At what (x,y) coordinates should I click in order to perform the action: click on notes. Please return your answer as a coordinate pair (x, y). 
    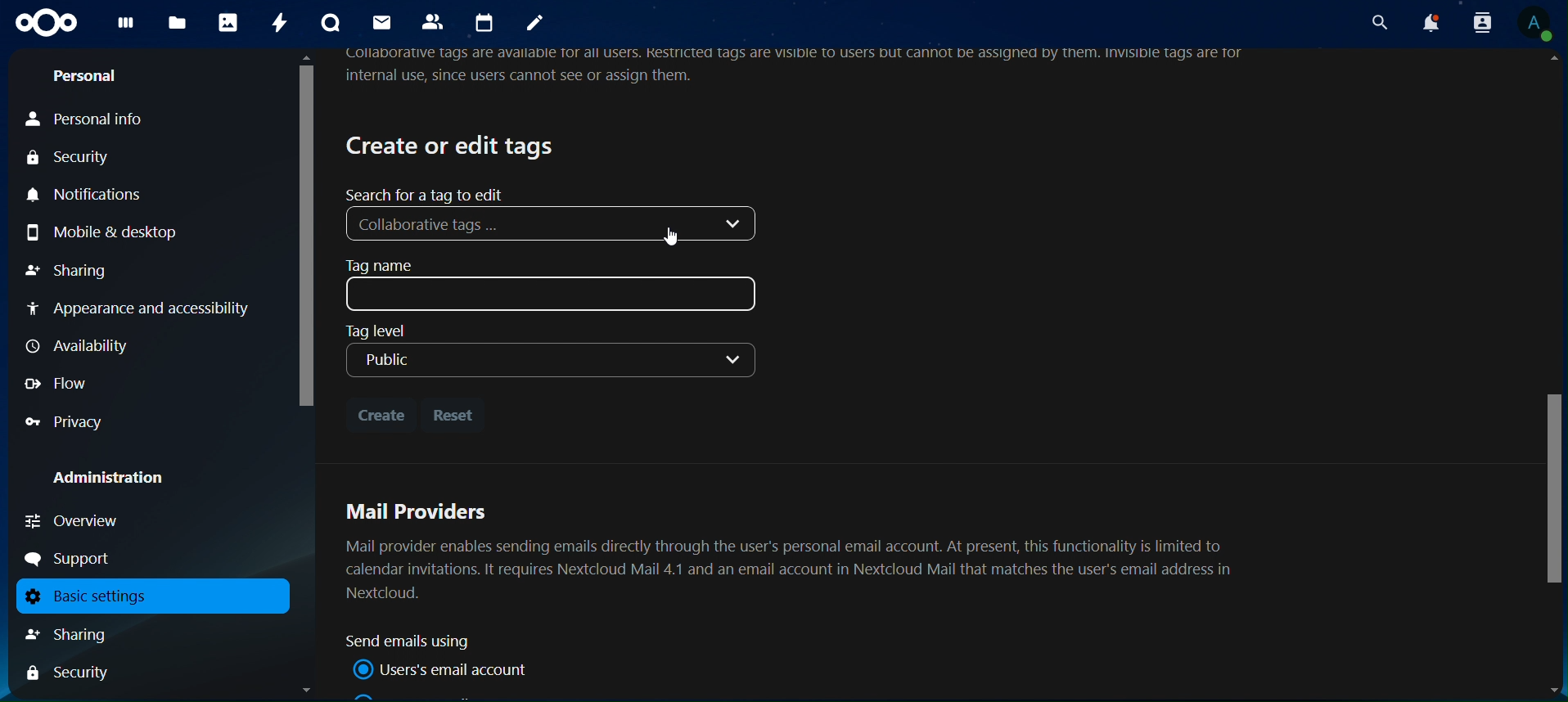
    Looking at the image, I should click on (535, 25).